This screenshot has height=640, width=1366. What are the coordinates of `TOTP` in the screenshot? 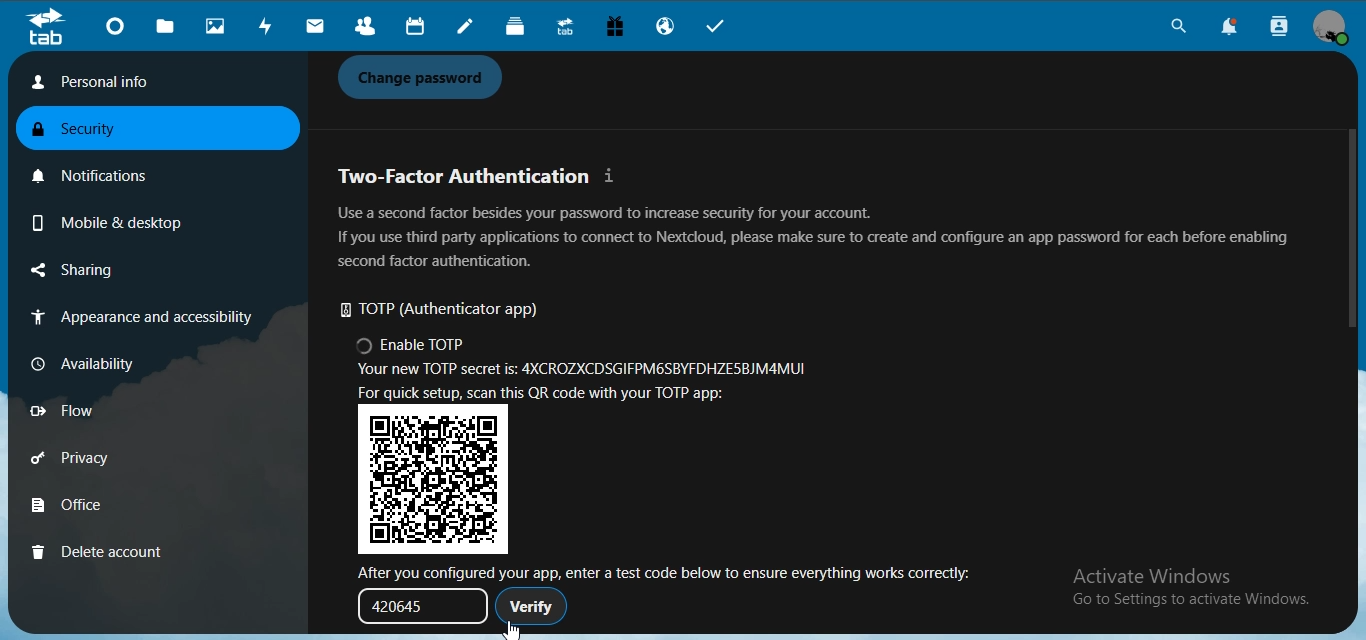 It's located at (450, 311).